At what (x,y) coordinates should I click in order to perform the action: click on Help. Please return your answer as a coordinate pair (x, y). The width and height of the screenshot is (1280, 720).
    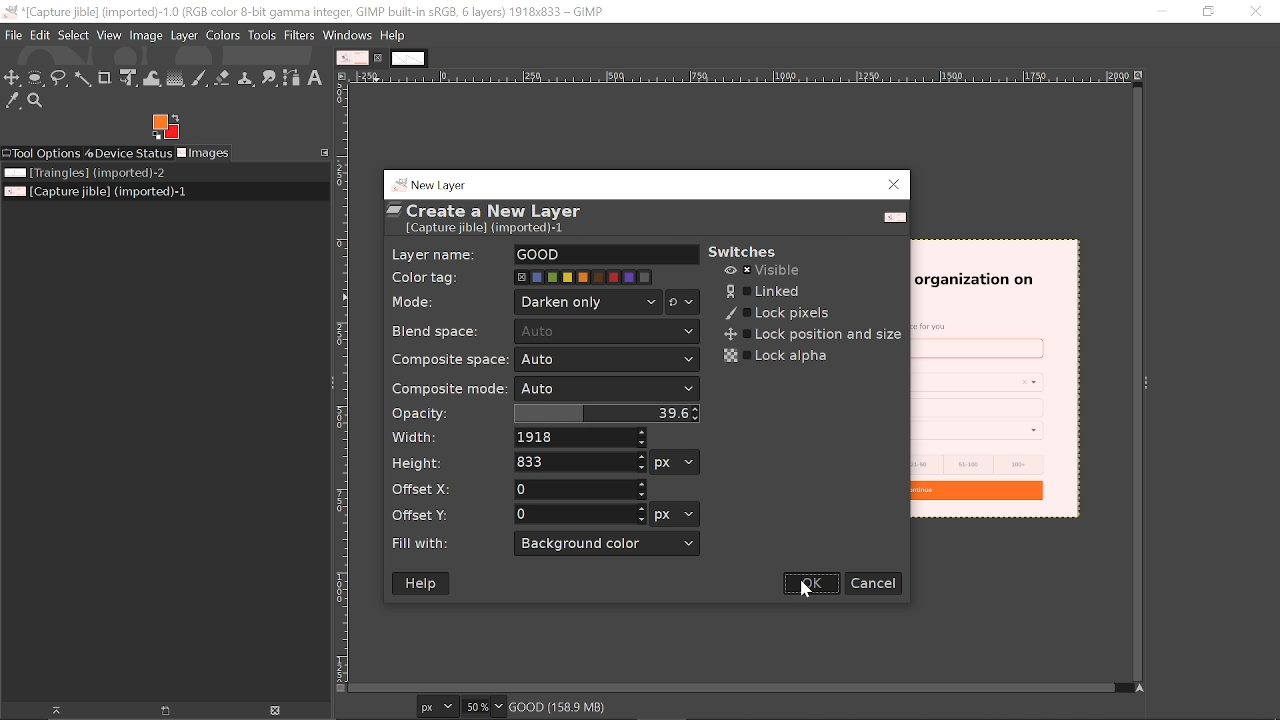
    Looking at the image, I should click on (423, 584).